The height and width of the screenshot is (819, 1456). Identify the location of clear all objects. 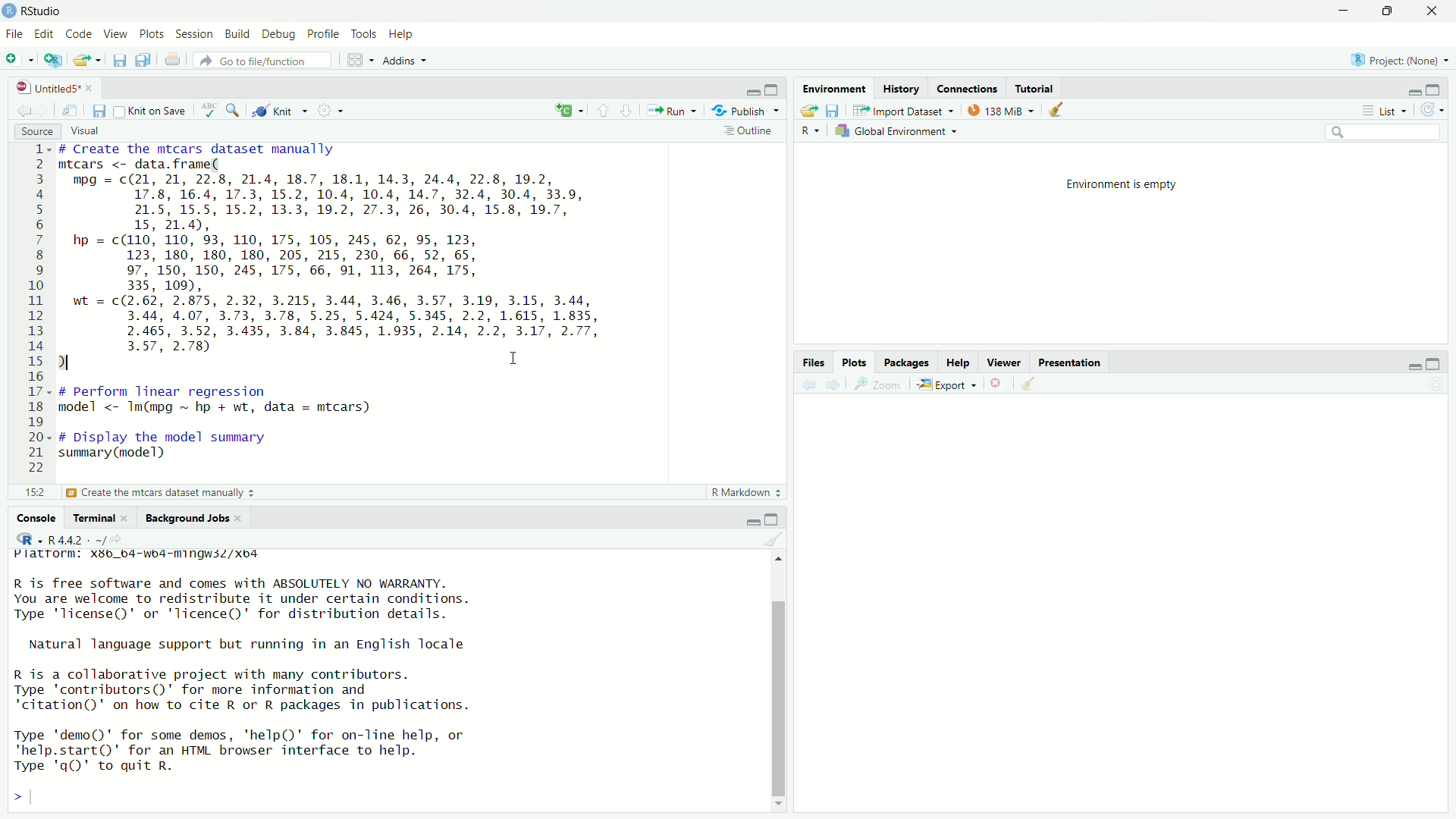
(1063, 110).